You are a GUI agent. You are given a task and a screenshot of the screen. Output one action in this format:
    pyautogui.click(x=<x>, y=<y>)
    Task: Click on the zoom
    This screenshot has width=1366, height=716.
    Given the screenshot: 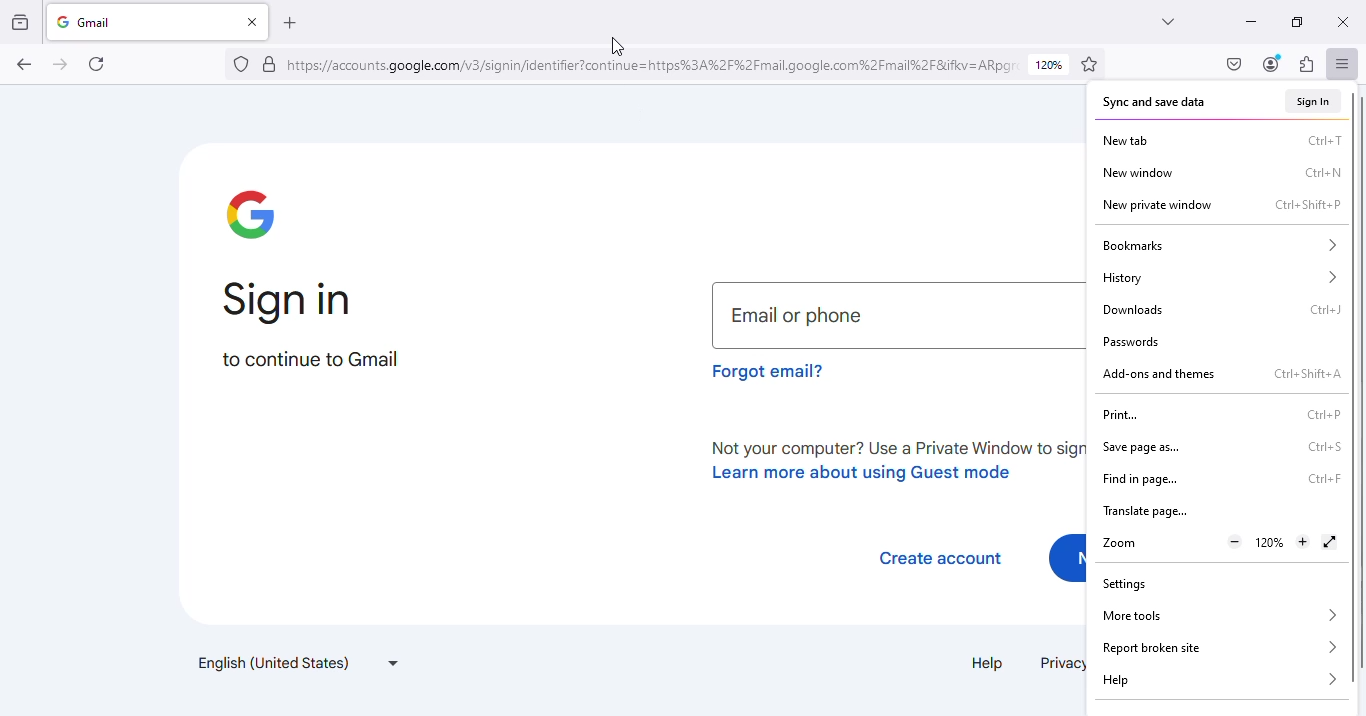 What is the action you would take?
    pyautogui.click(x=1119, y=542)
    